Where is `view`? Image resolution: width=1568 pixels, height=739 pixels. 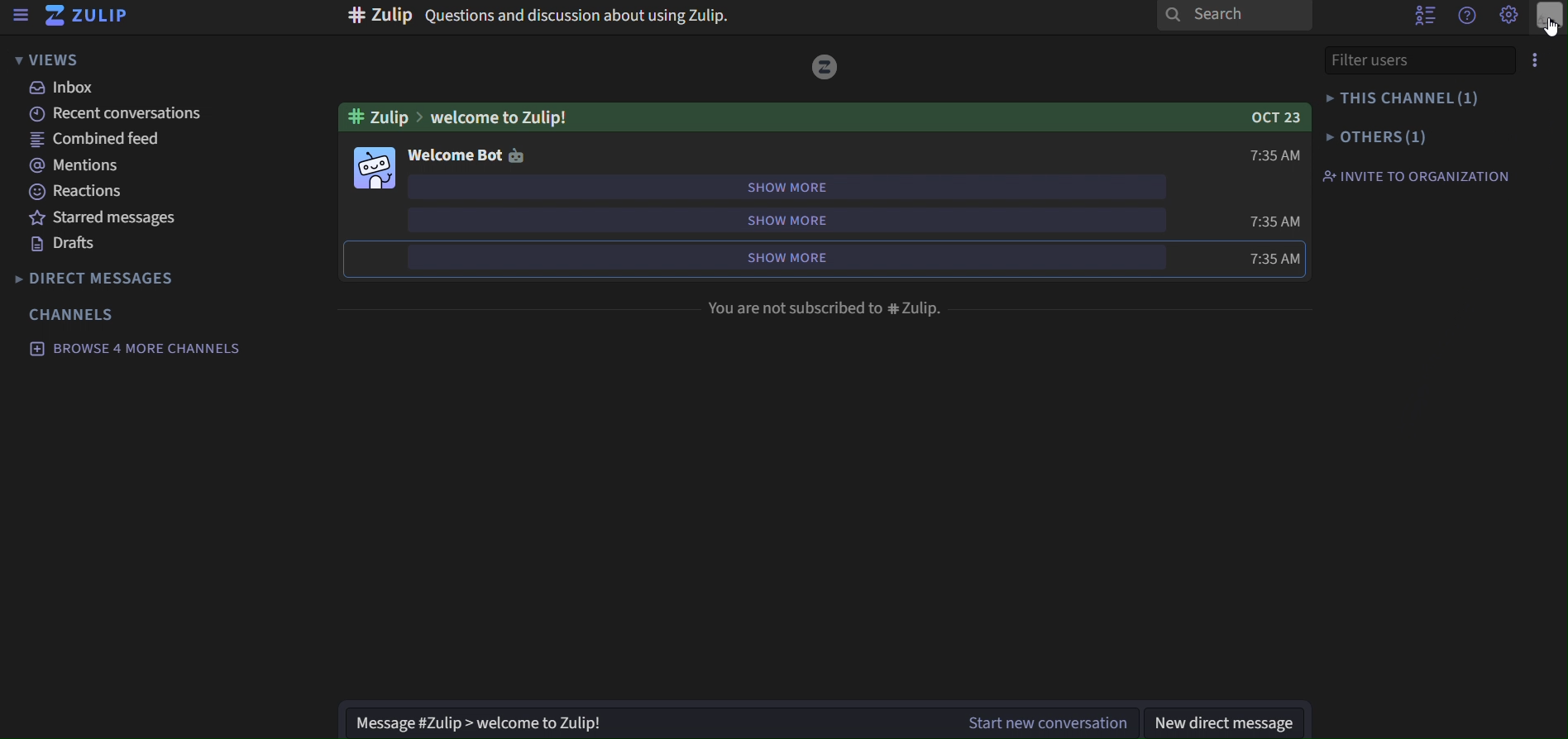
view is located at coordinates (48, 59).